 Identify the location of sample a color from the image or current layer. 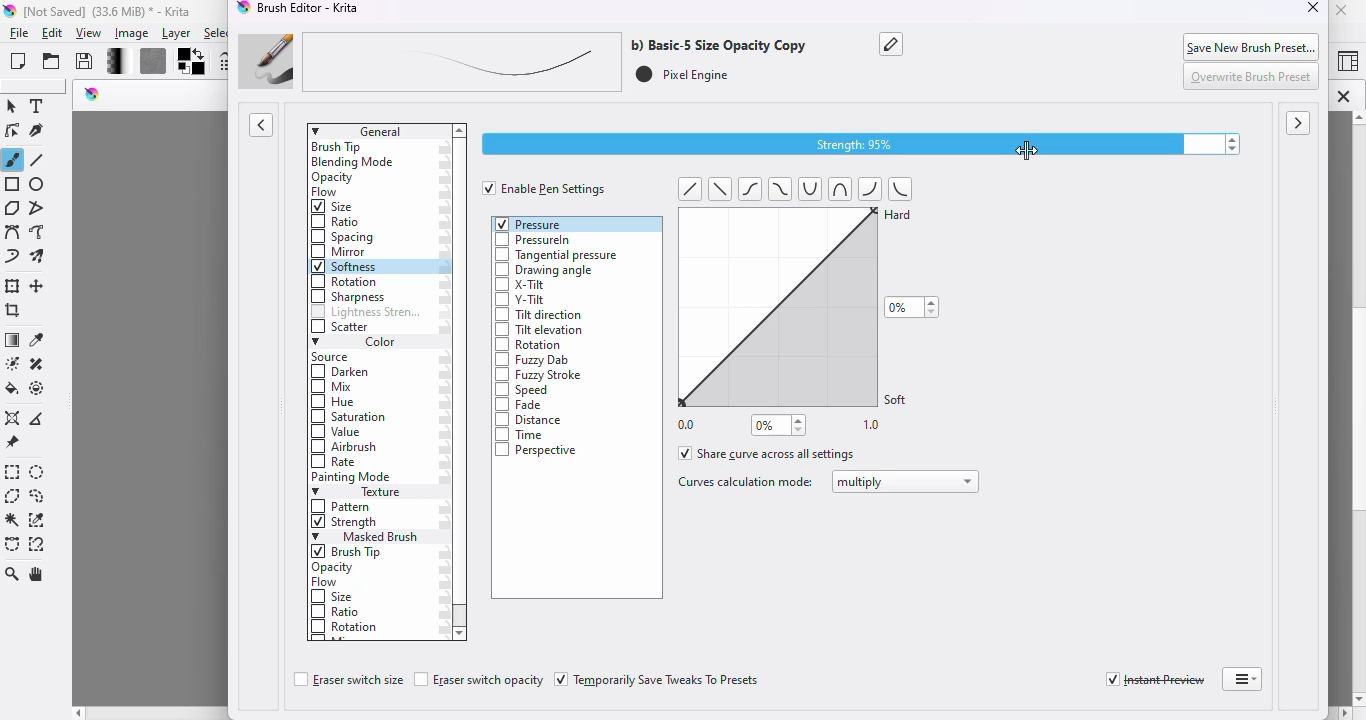
(37, 339).